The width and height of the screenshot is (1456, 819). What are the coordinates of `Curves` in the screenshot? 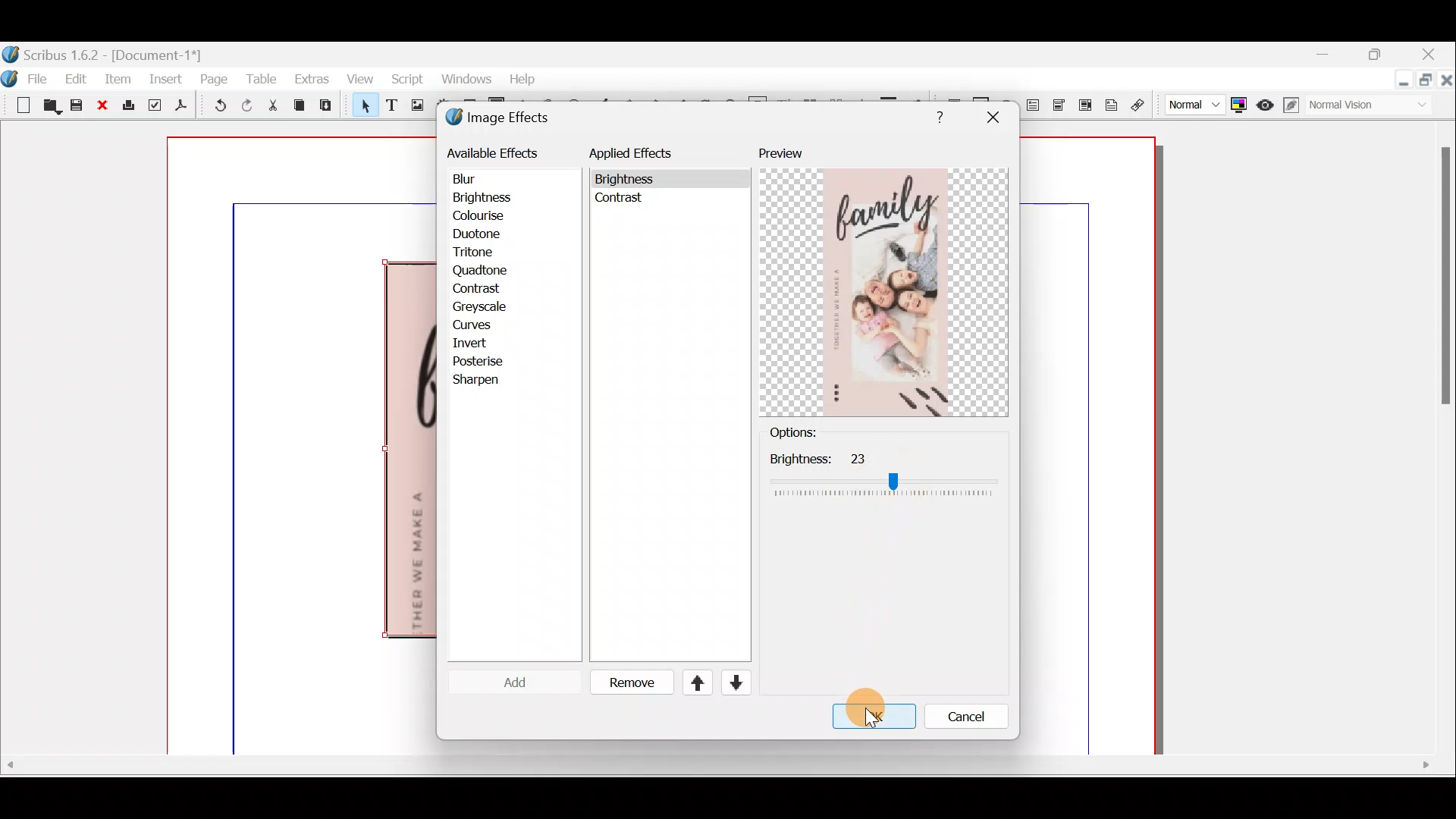 It's located at (483, 325).